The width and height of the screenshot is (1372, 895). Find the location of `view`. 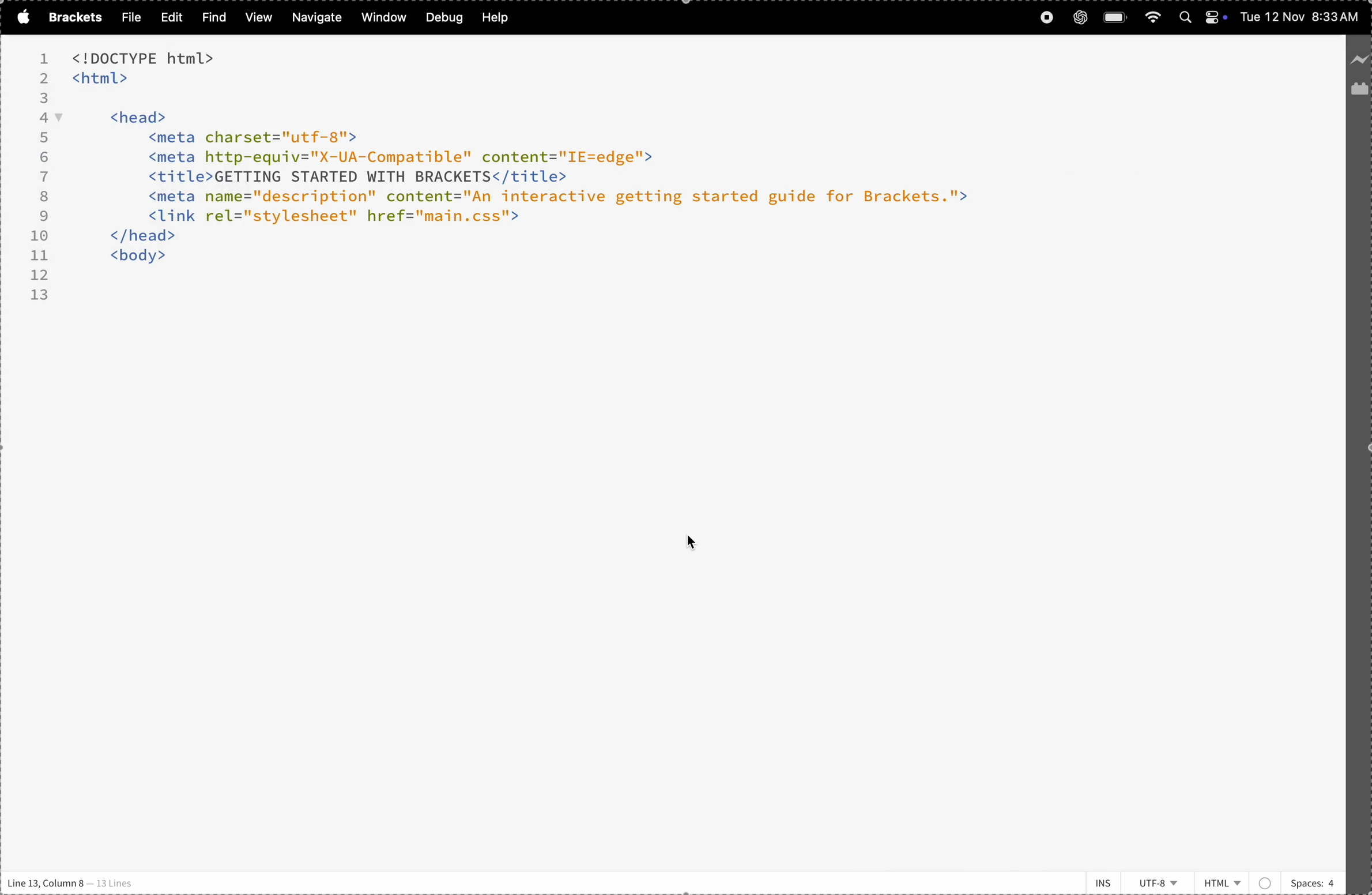

view is located at coordinates (257, 18).